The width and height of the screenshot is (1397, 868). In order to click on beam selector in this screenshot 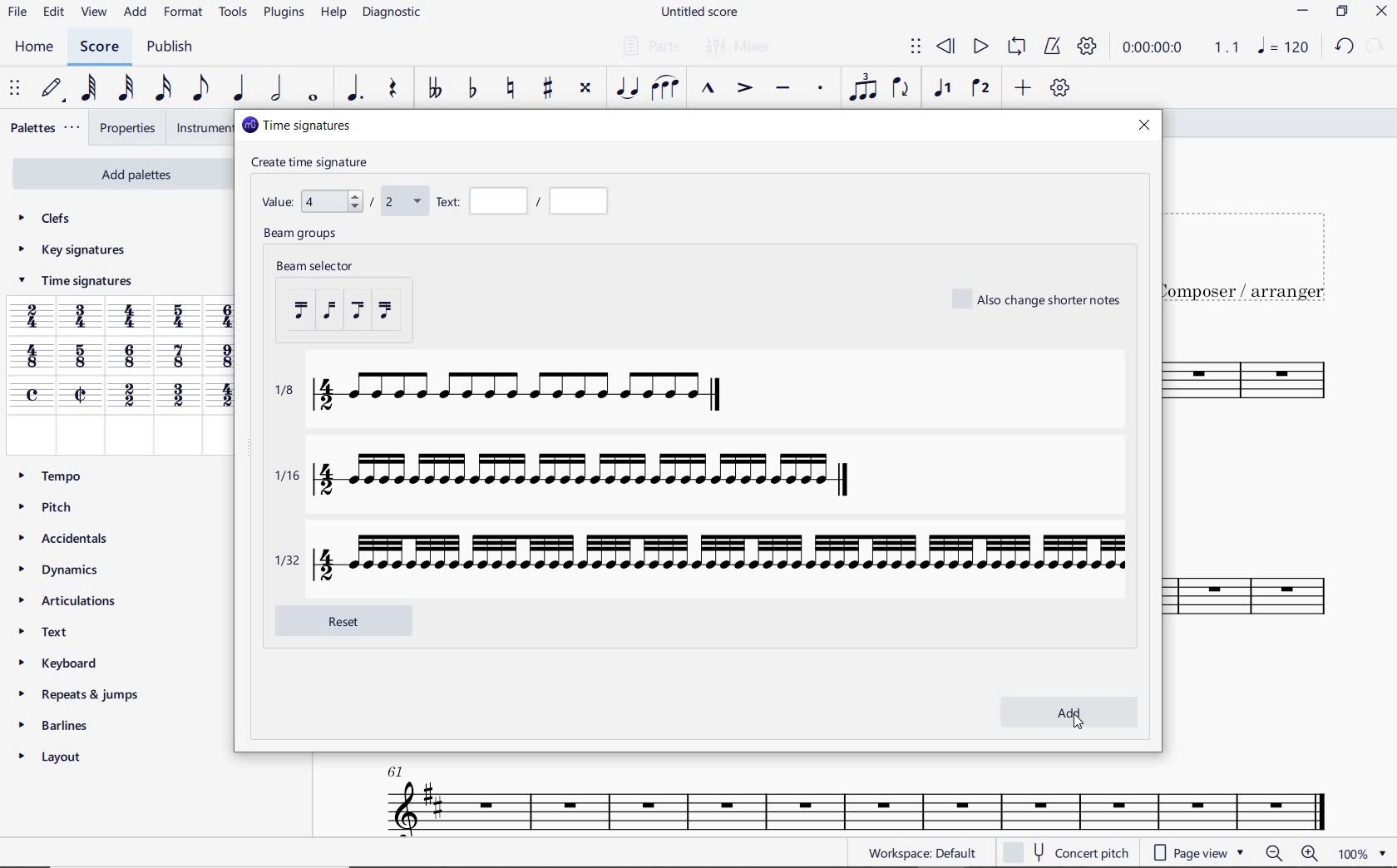, I will do `click(373, 300)`.